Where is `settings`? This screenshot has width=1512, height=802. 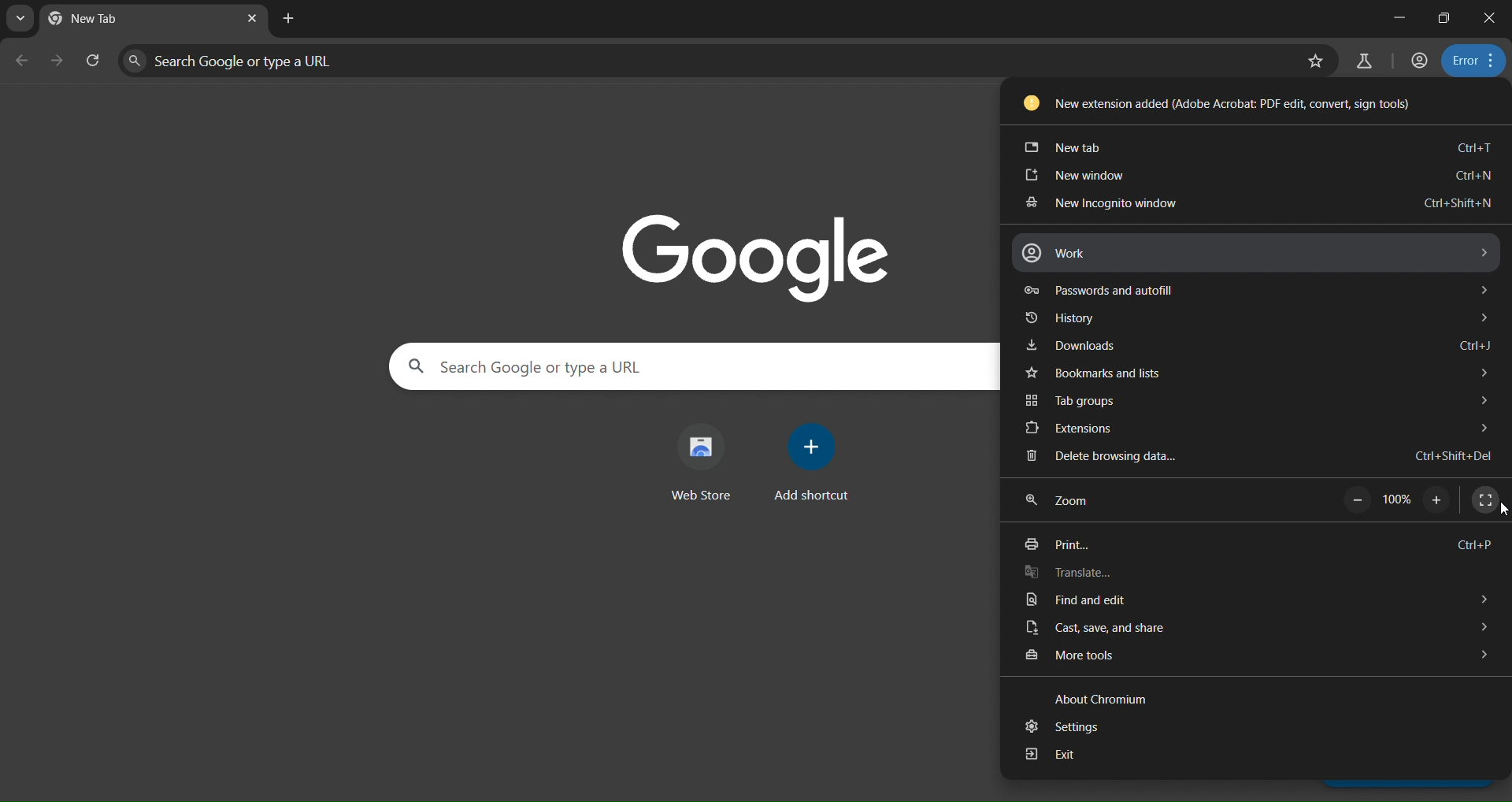
settings is located at coordinates (1230, 729).